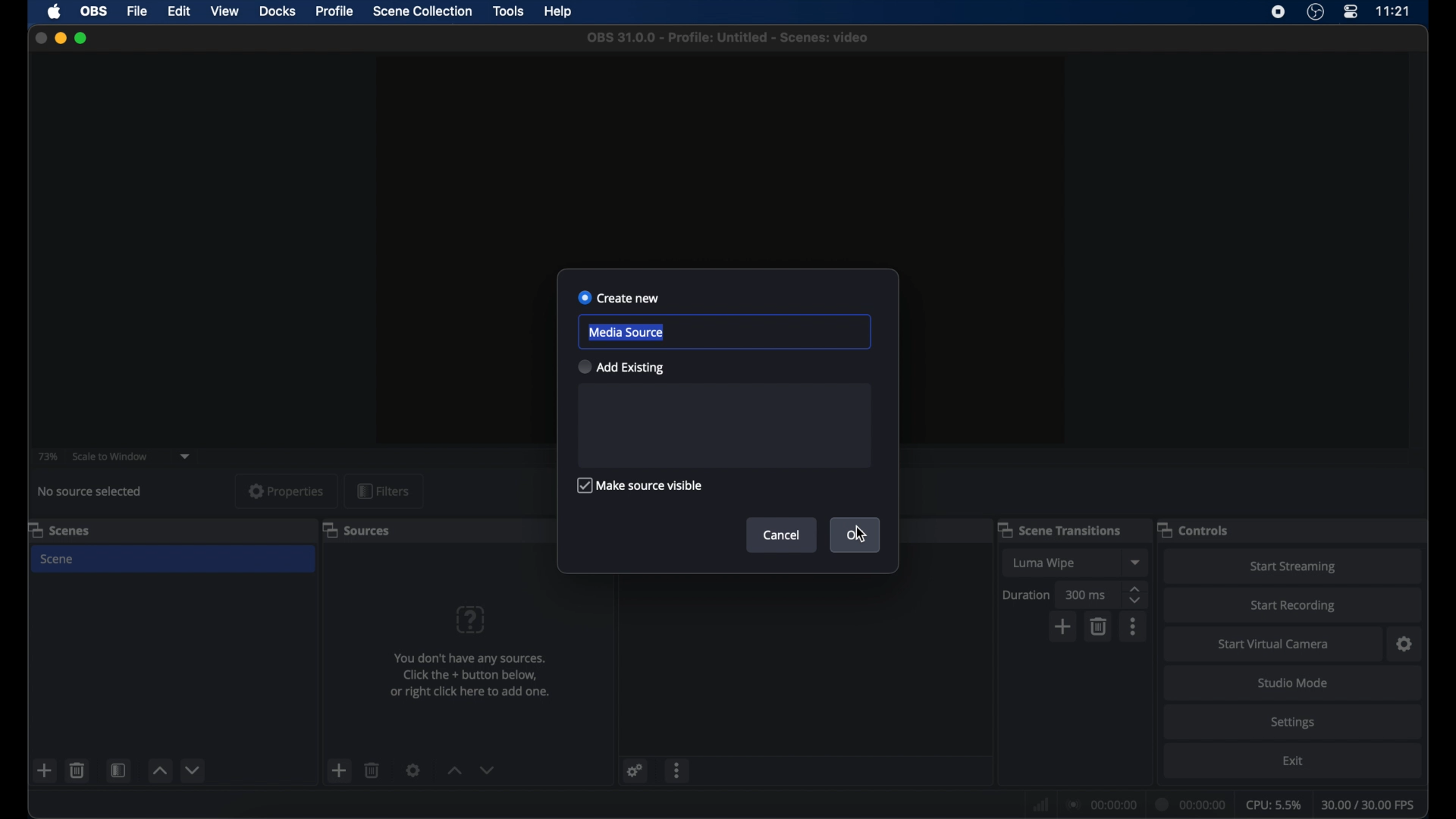  What do you see at coordinates (47, 457) in the screenshot?
I see `73%` at bounding box center [47, 457].